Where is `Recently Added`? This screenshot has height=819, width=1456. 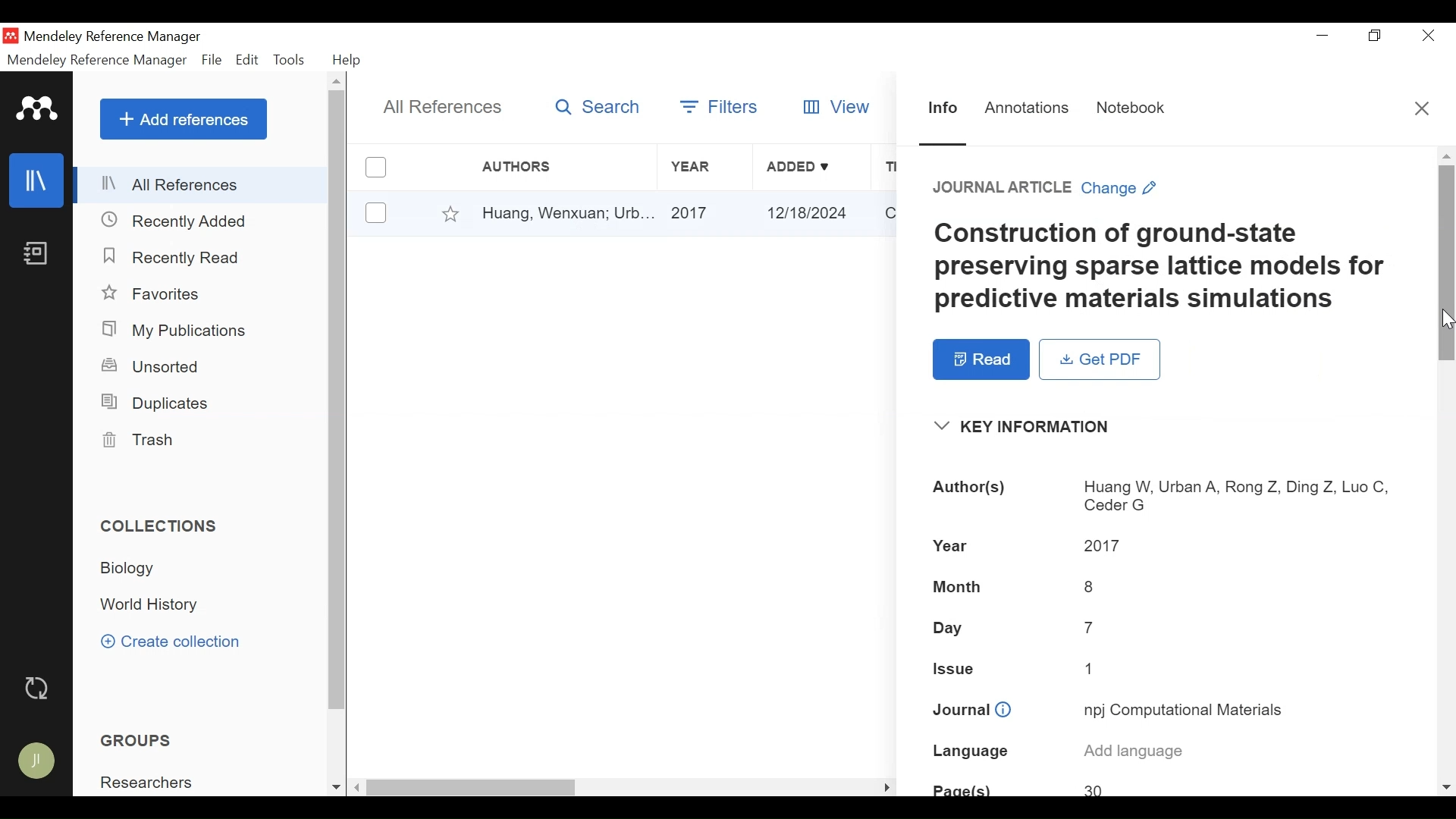
Recently Added is located at coordinates (178, 221).